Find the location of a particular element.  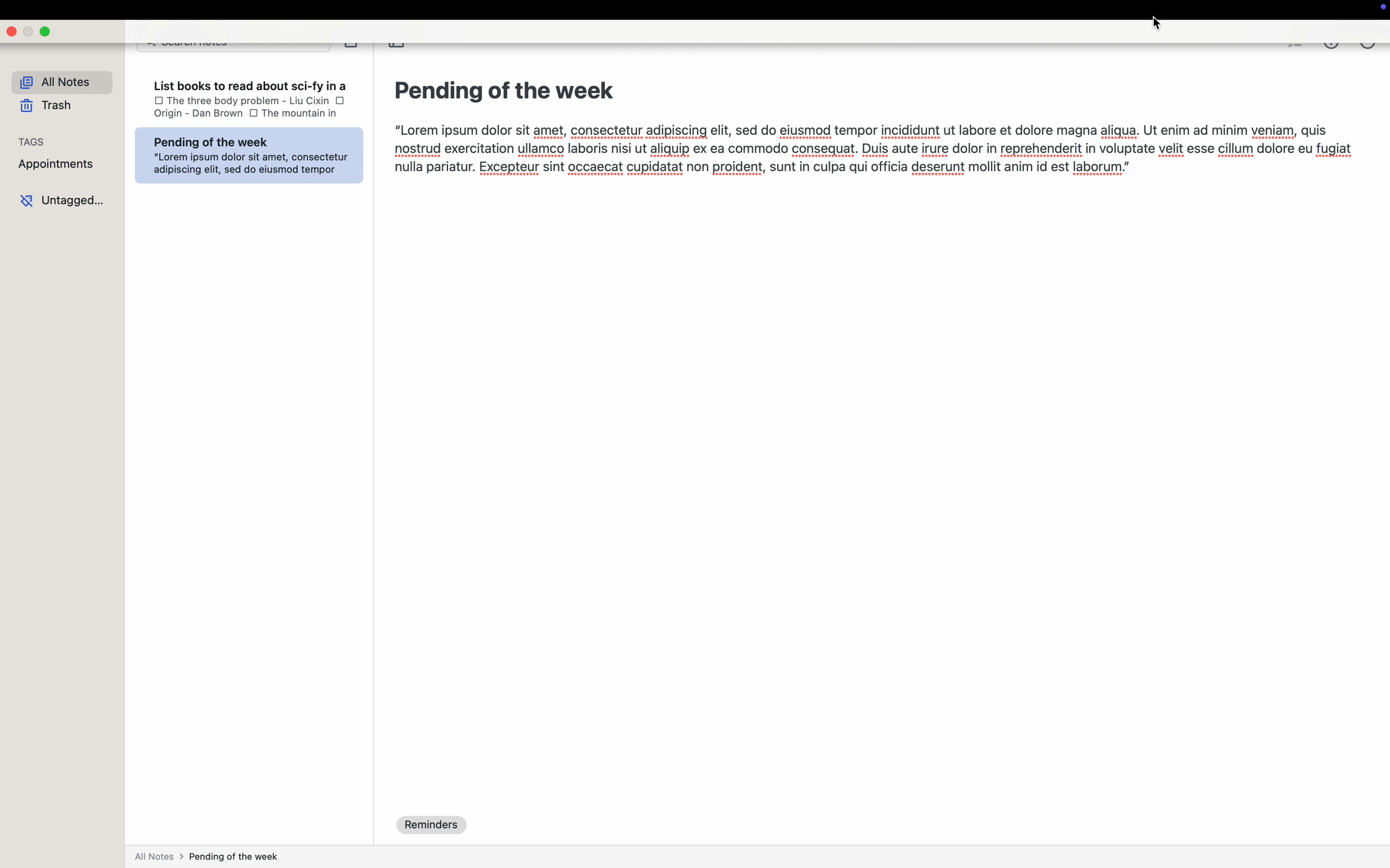

checkbox list is located at coordinates (1295, 49).